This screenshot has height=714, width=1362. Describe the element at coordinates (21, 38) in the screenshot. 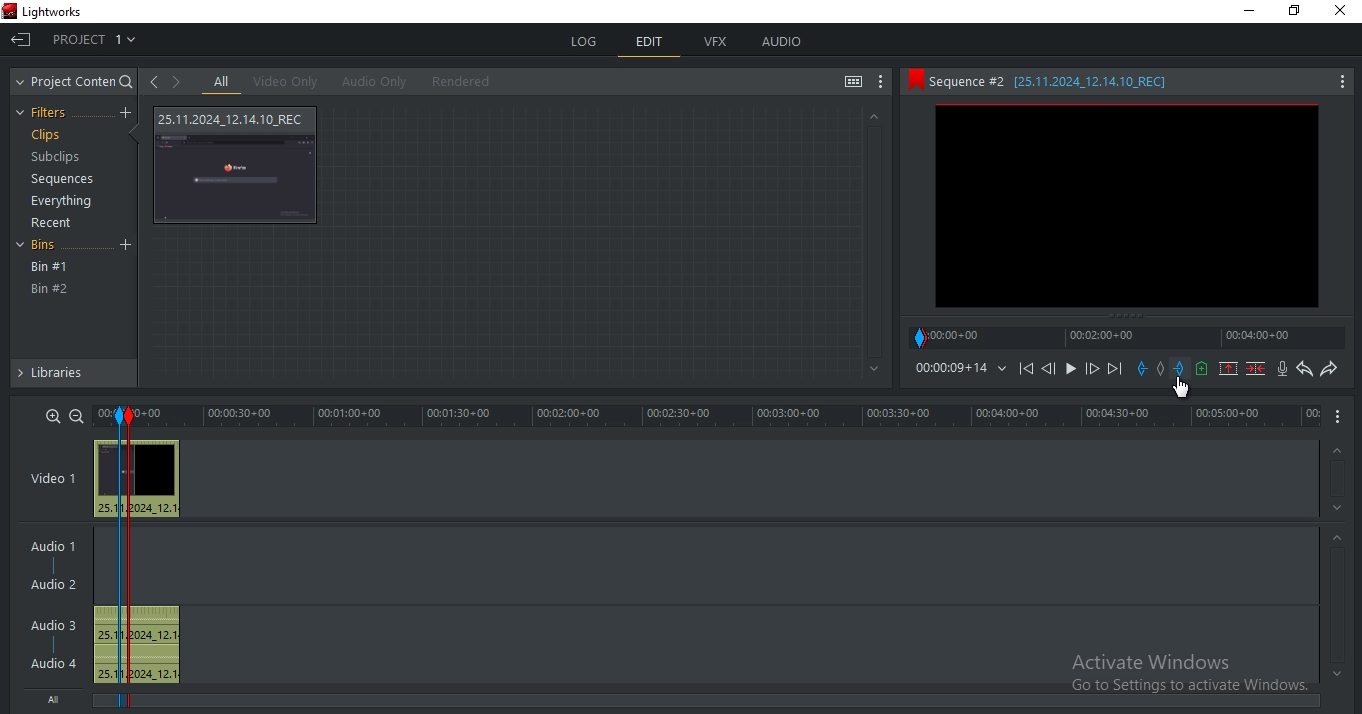

I see `Exit` at that location.